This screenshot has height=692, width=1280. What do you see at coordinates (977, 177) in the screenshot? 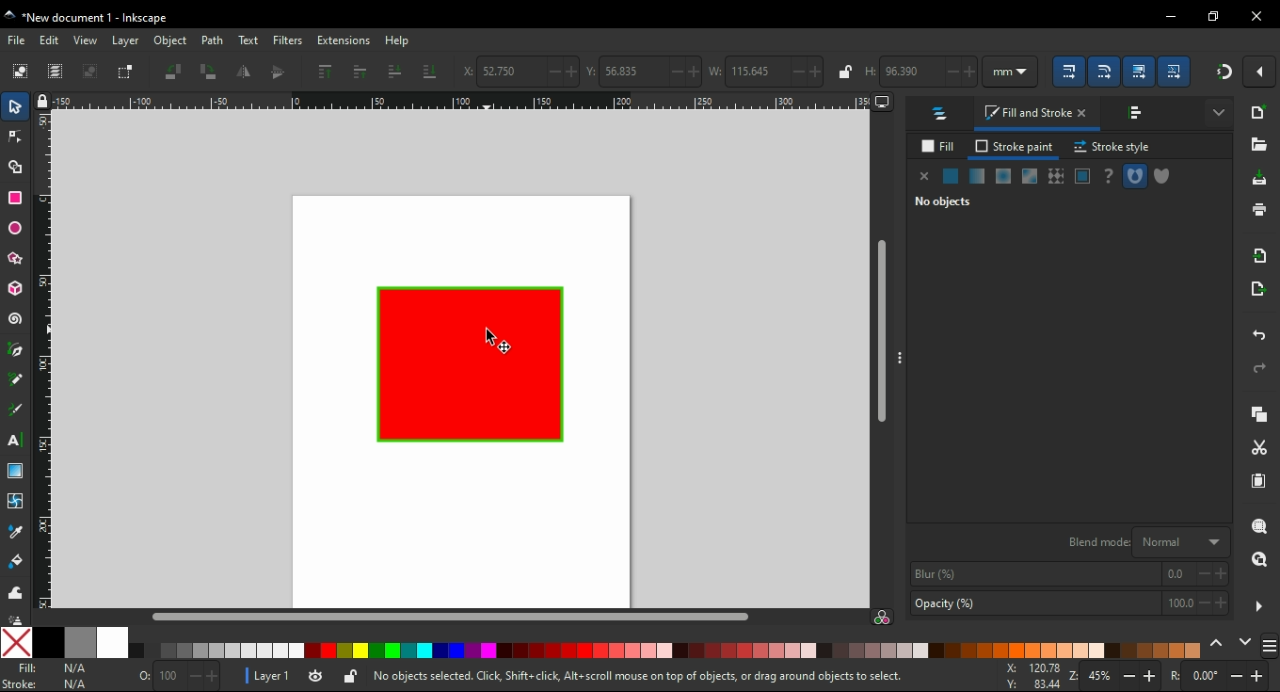
I see `mesh gradient` at bounding box center [977, 177].